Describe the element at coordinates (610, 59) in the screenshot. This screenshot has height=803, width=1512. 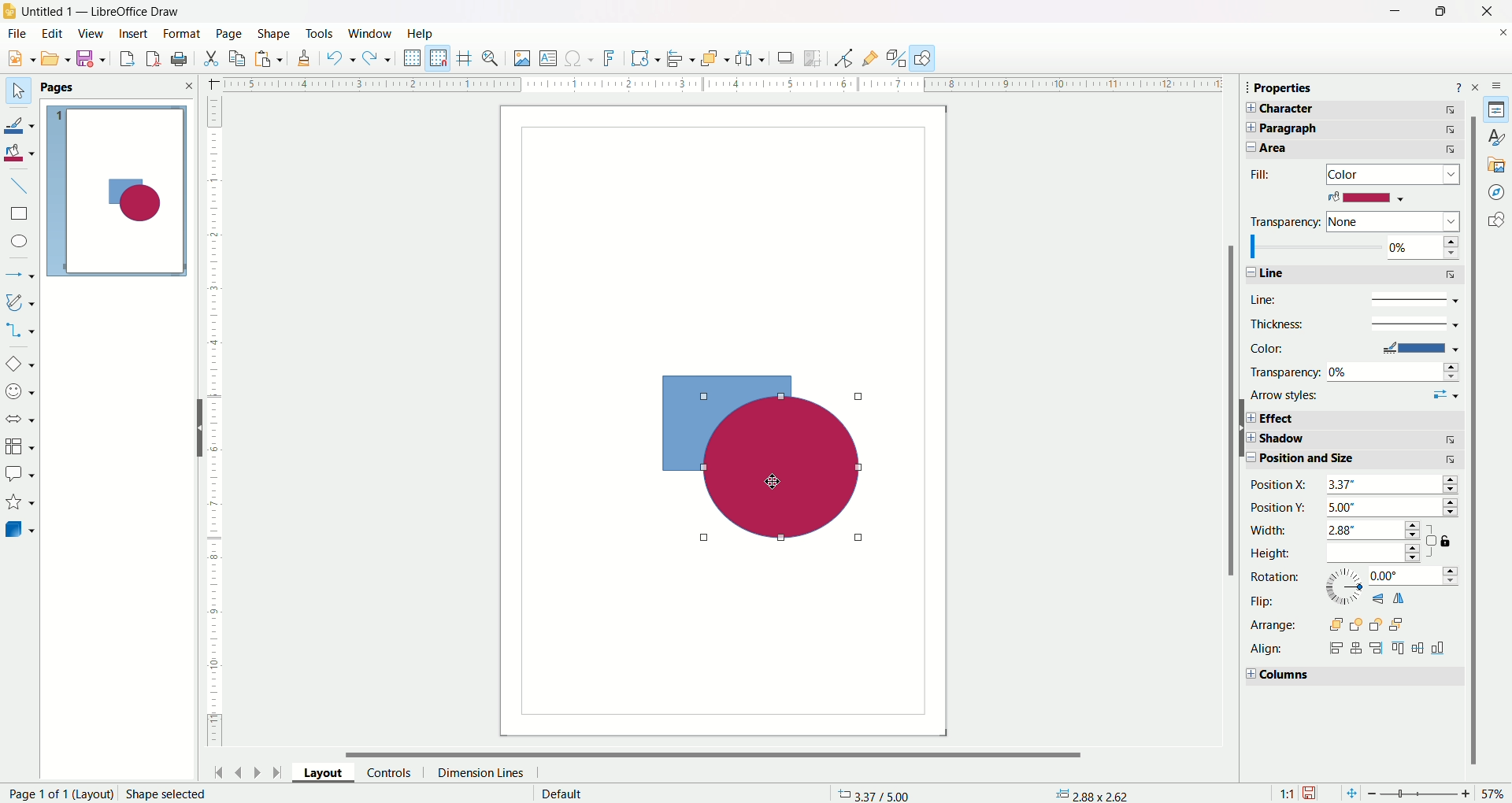
I see `fontwork text` at that location.